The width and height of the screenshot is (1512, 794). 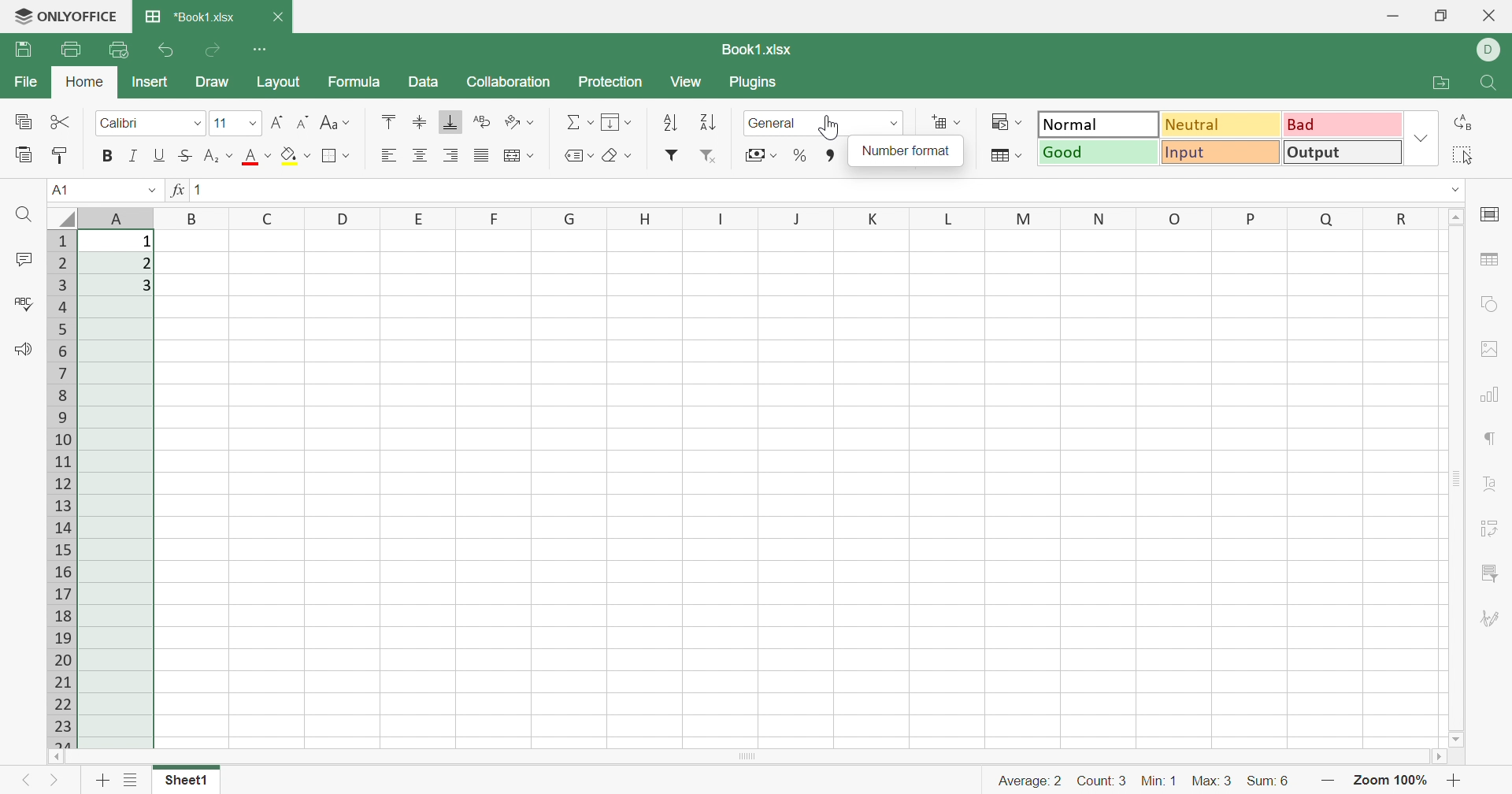 I want to click on Strikethrough, so click(x=183, y=156).